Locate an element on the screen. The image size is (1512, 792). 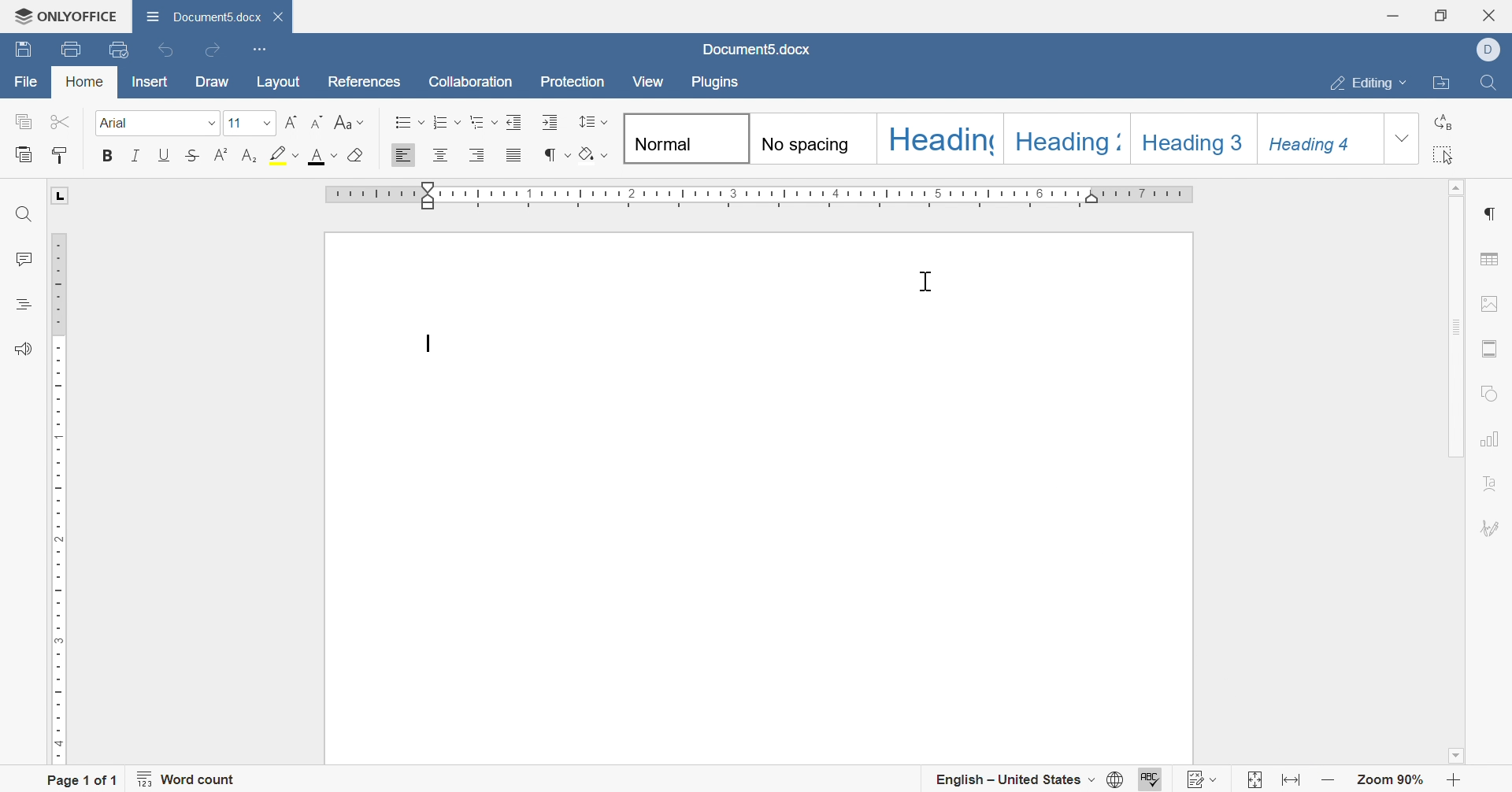
subscript is located at coordinates (247, 157).